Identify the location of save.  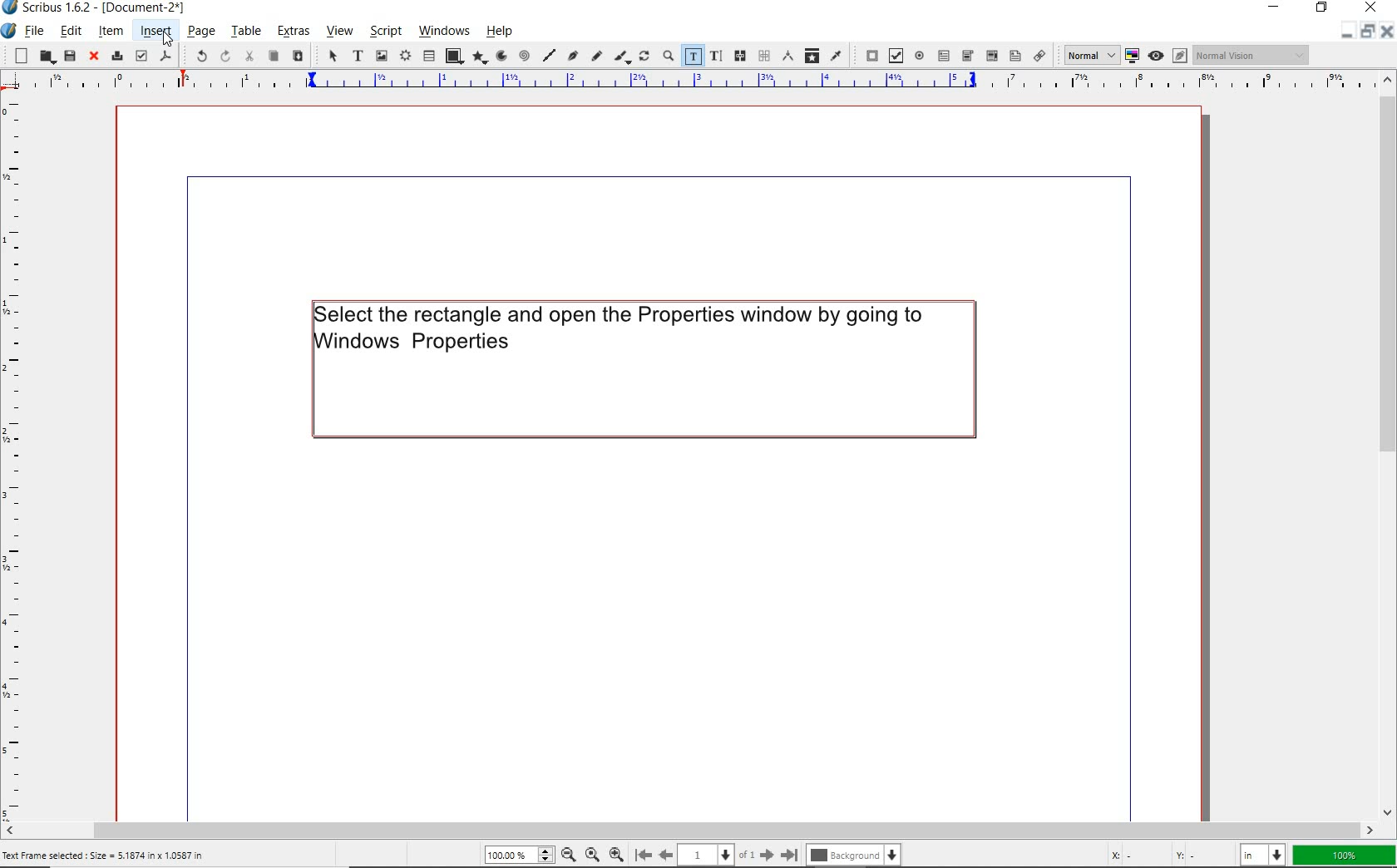
(69, 56).